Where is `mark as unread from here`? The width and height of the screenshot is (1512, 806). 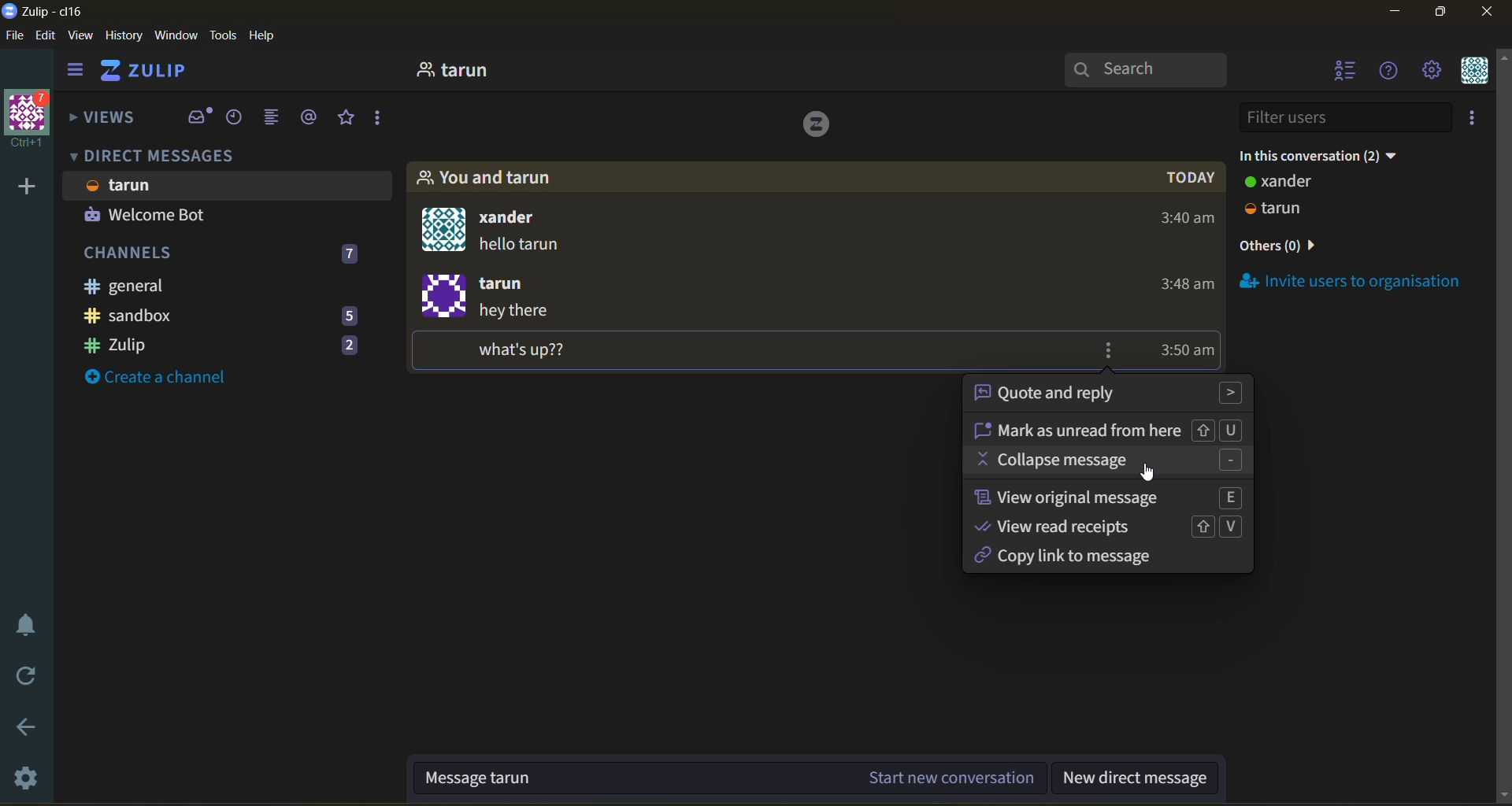
mark as unread from here is located at coordinates (1114, 428).